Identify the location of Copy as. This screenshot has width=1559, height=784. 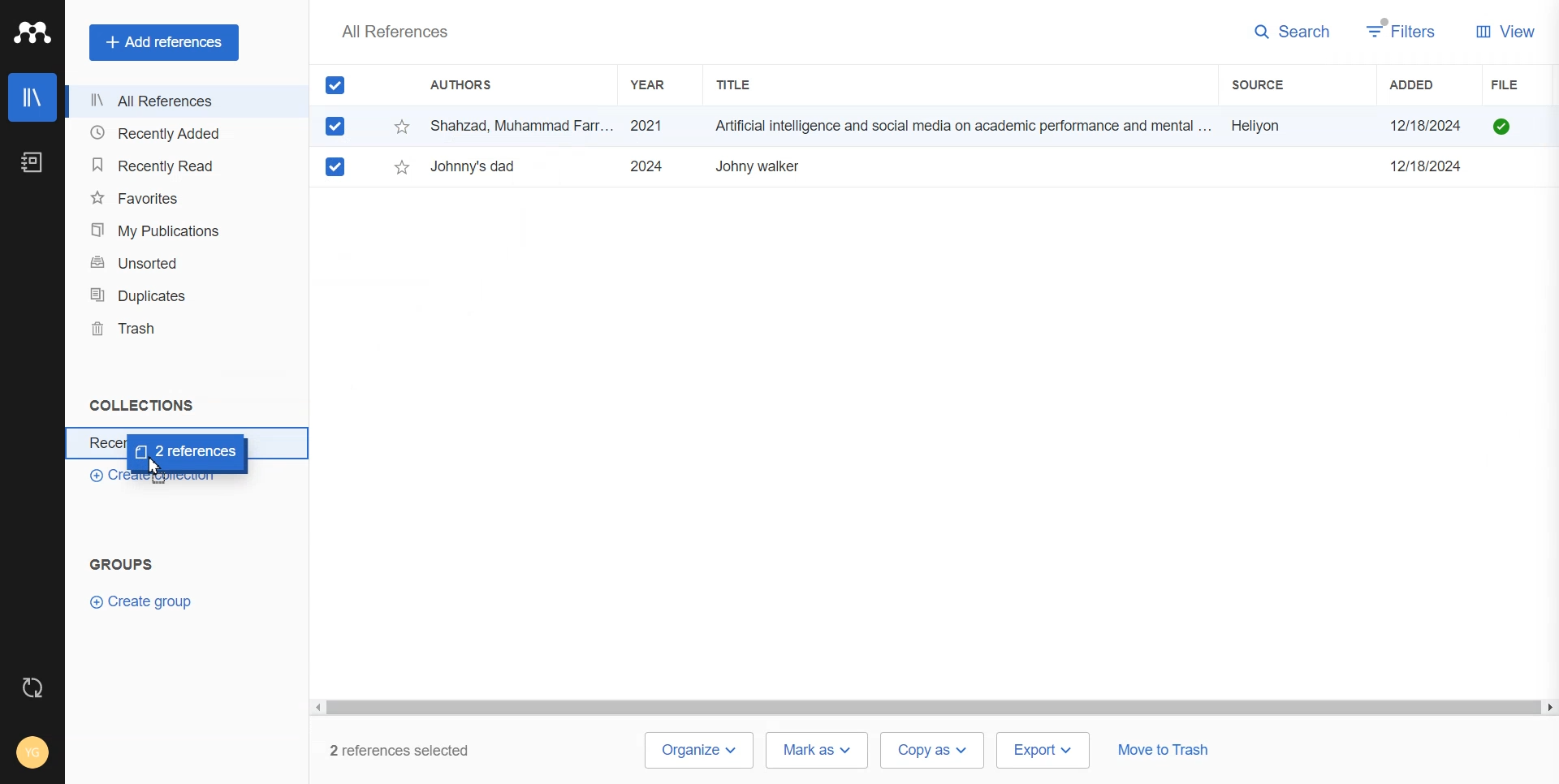
(934, 751).